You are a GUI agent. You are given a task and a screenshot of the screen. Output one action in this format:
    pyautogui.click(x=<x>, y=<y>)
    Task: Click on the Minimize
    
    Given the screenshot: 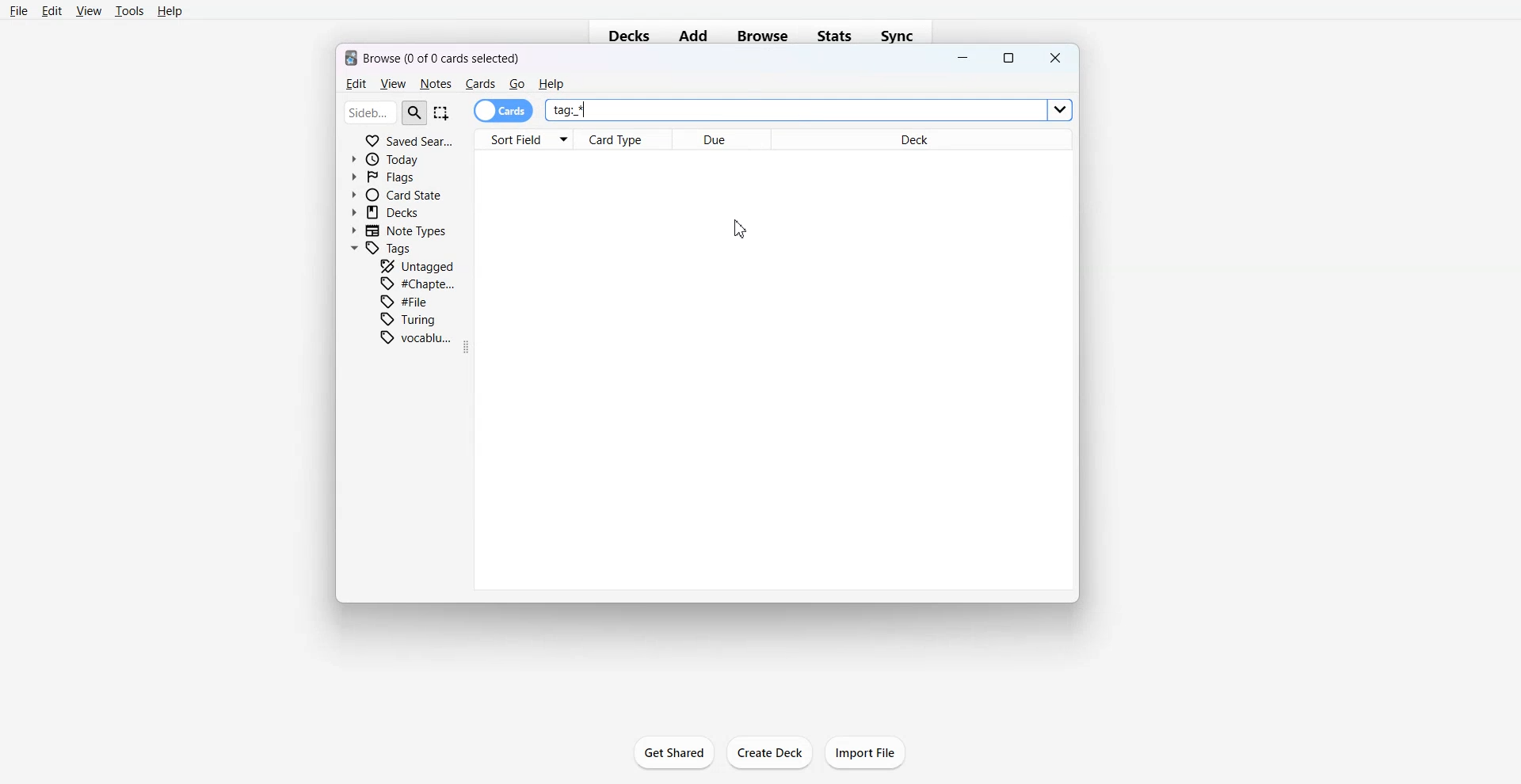 What is the action you would take?
    pyautogui.click(x=963, y=59)
    